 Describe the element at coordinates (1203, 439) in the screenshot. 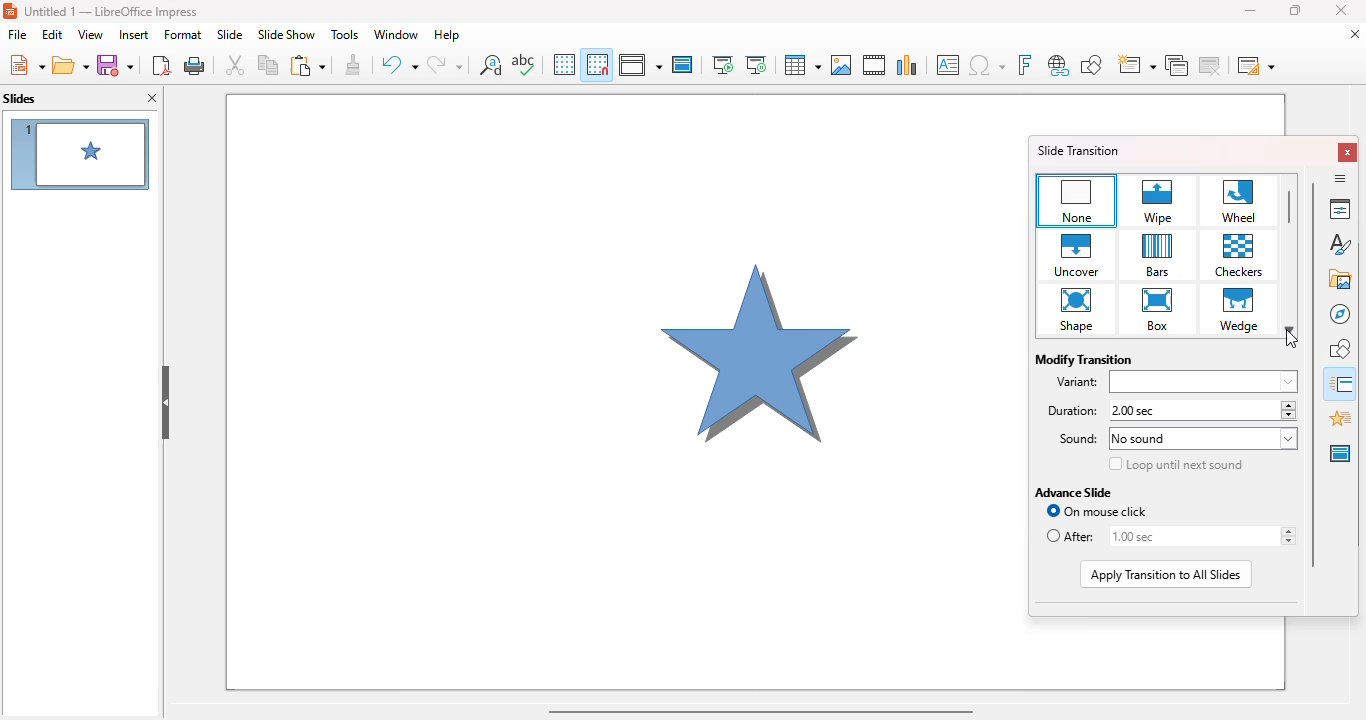

I see `sound: no sound` at that location.